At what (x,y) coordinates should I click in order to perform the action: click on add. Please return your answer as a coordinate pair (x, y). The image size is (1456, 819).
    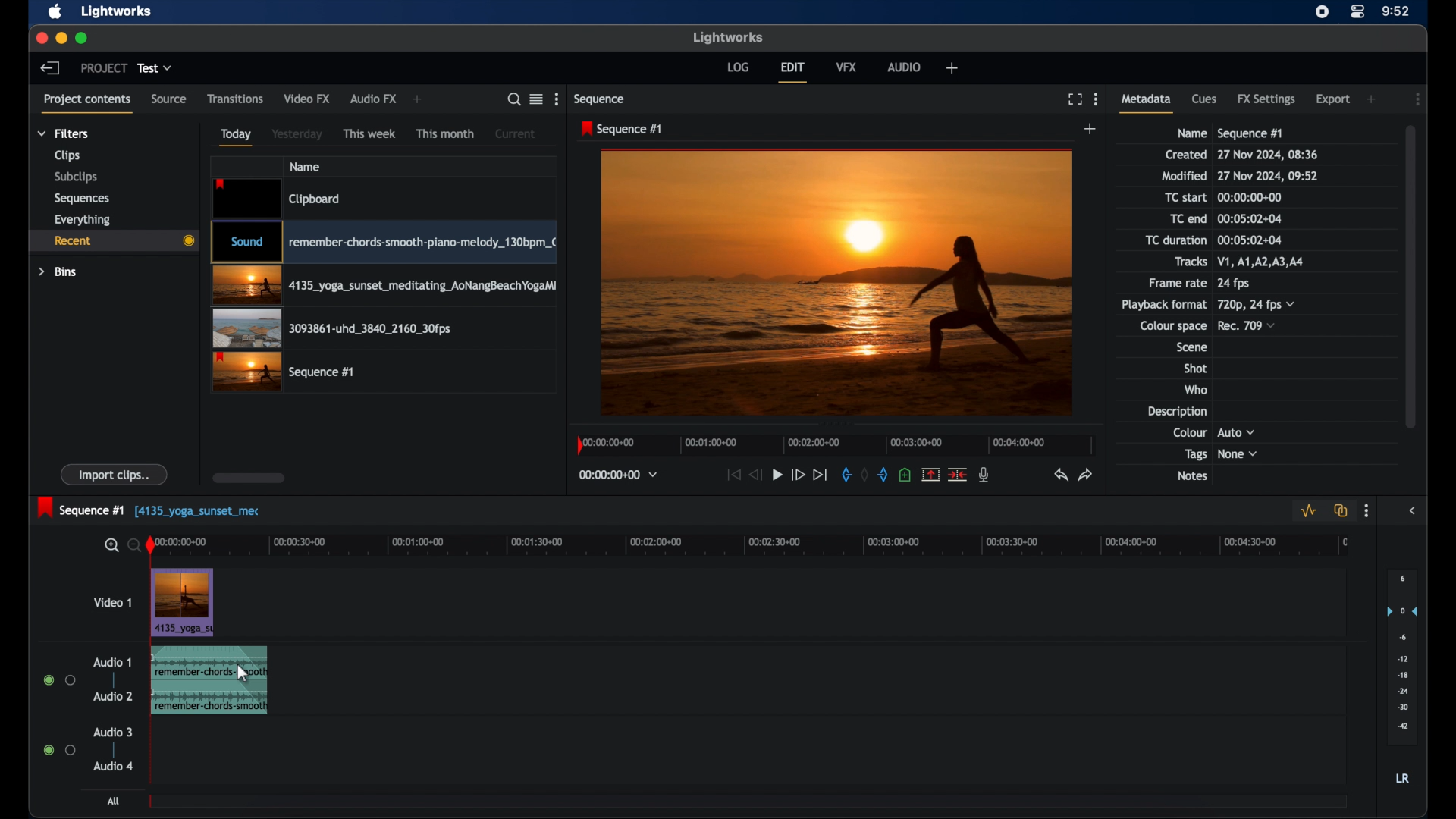
    Looking at the image, I should click on (1373, 99).